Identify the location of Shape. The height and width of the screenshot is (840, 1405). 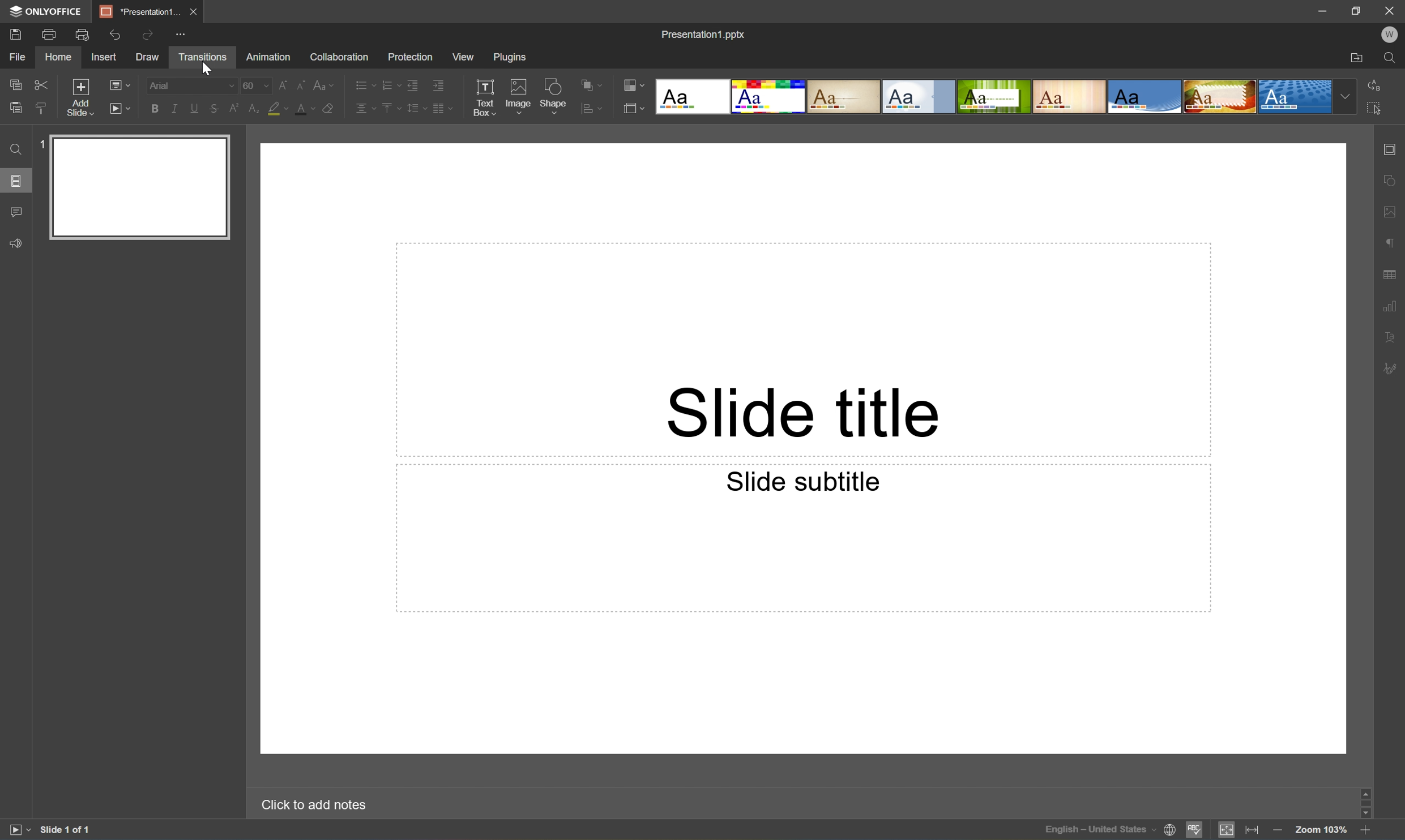
(556, 94).